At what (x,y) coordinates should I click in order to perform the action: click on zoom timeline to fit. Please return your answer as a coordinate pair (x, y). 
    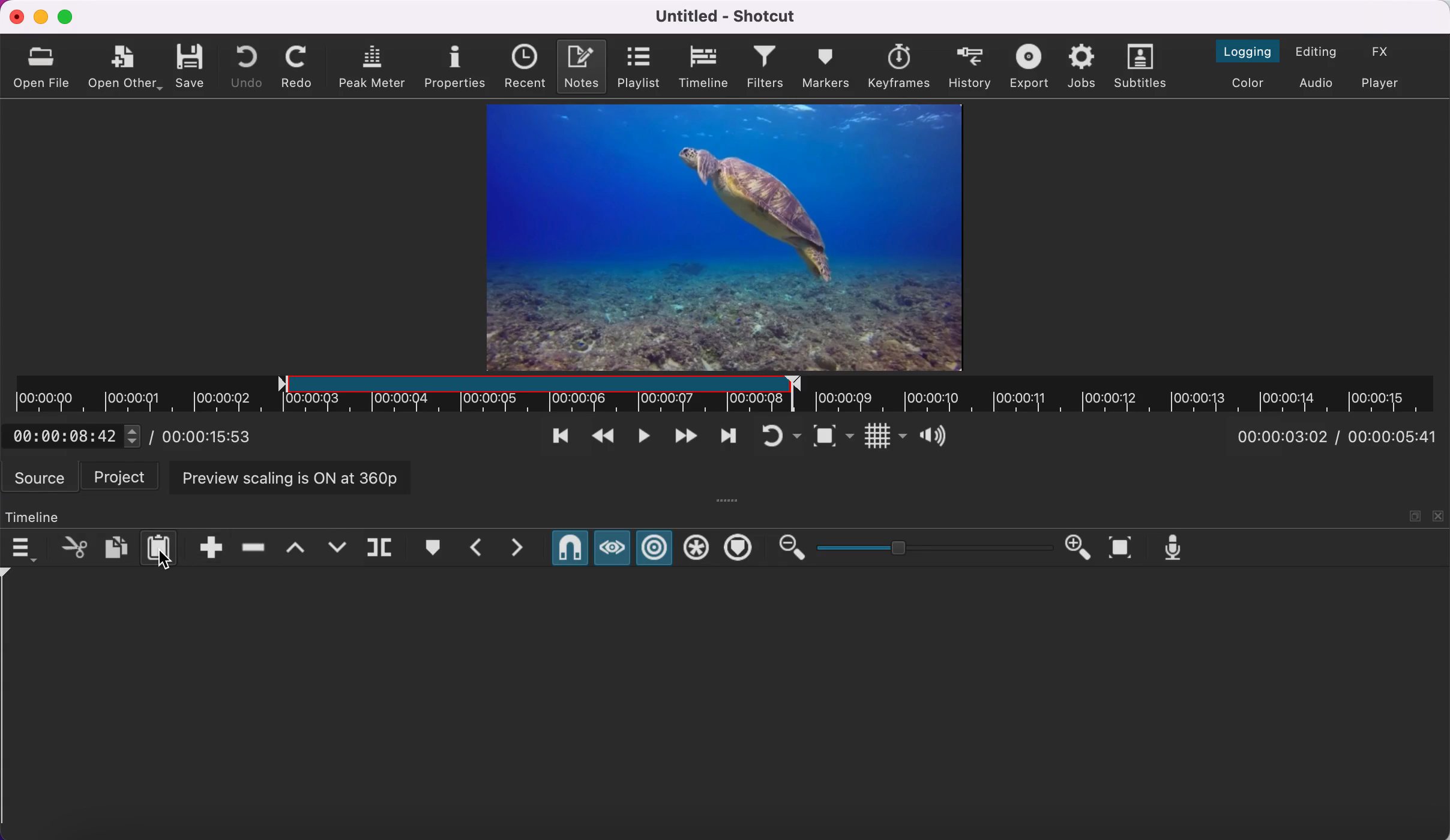
    Looking at the image, I should click on (1125, 548).